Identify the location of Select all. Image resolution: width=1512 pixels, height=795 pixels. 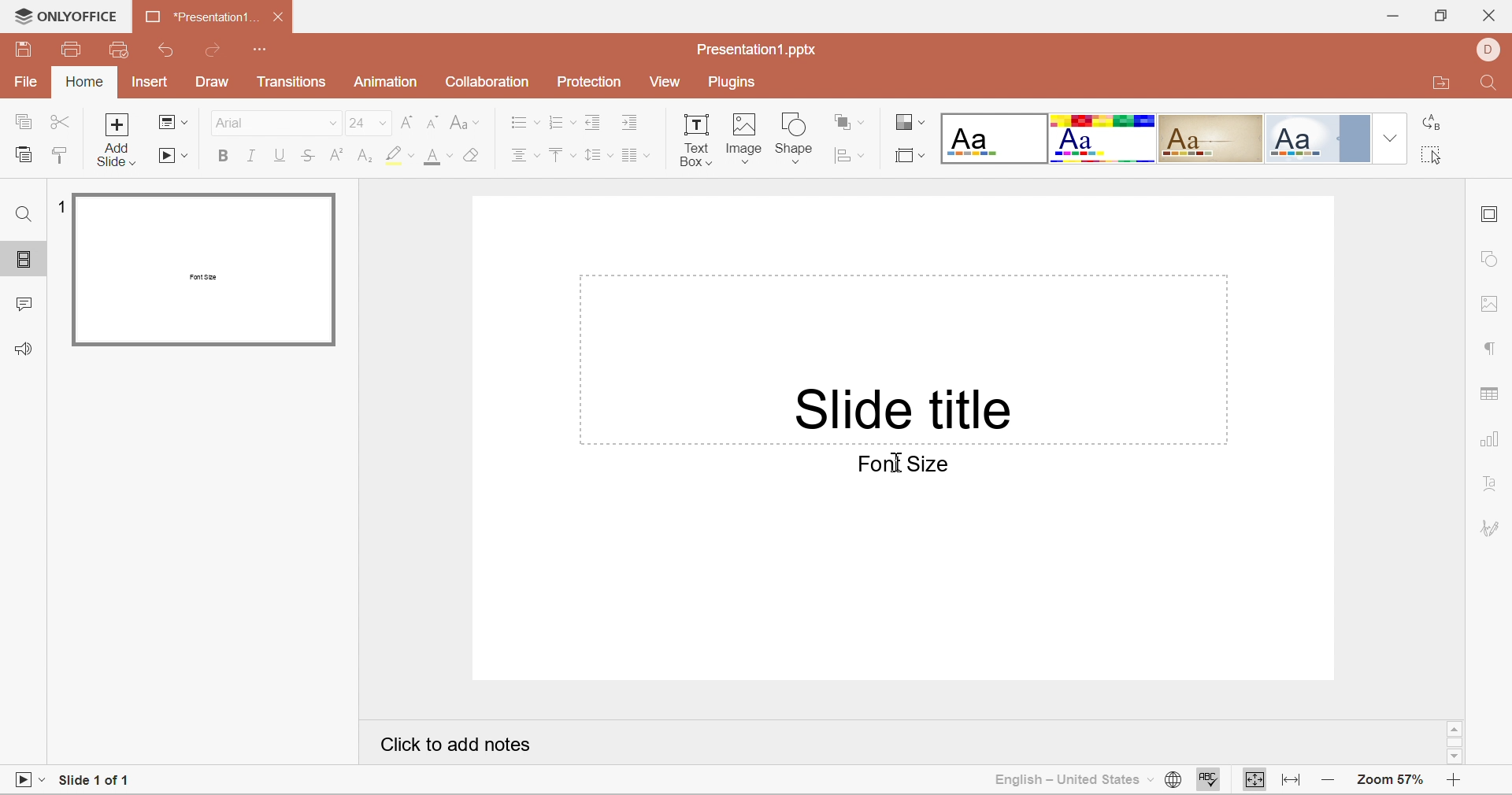
(1429, 154).